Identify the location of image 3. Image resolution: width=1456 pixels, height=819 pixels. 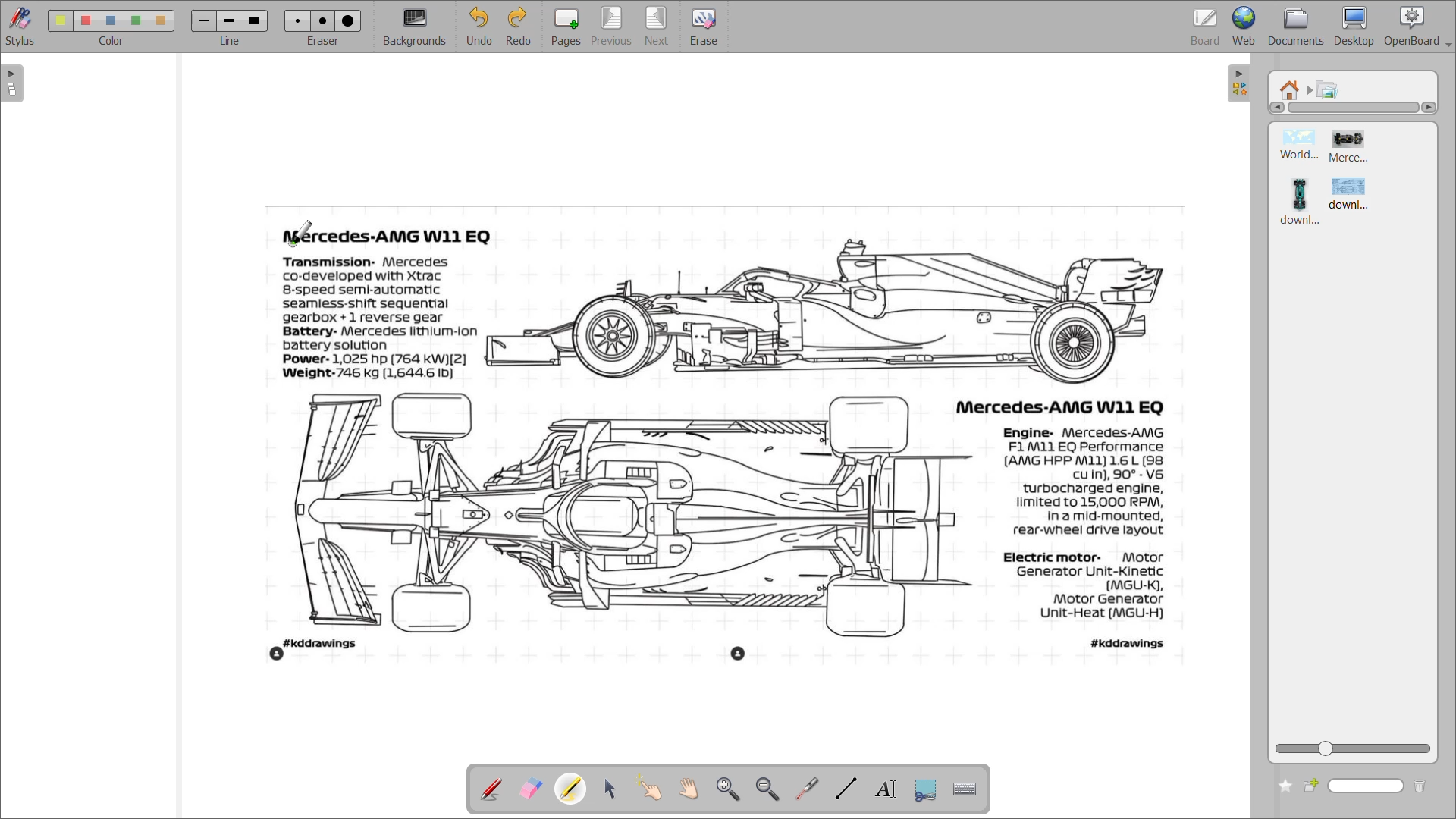
(1298, 200).